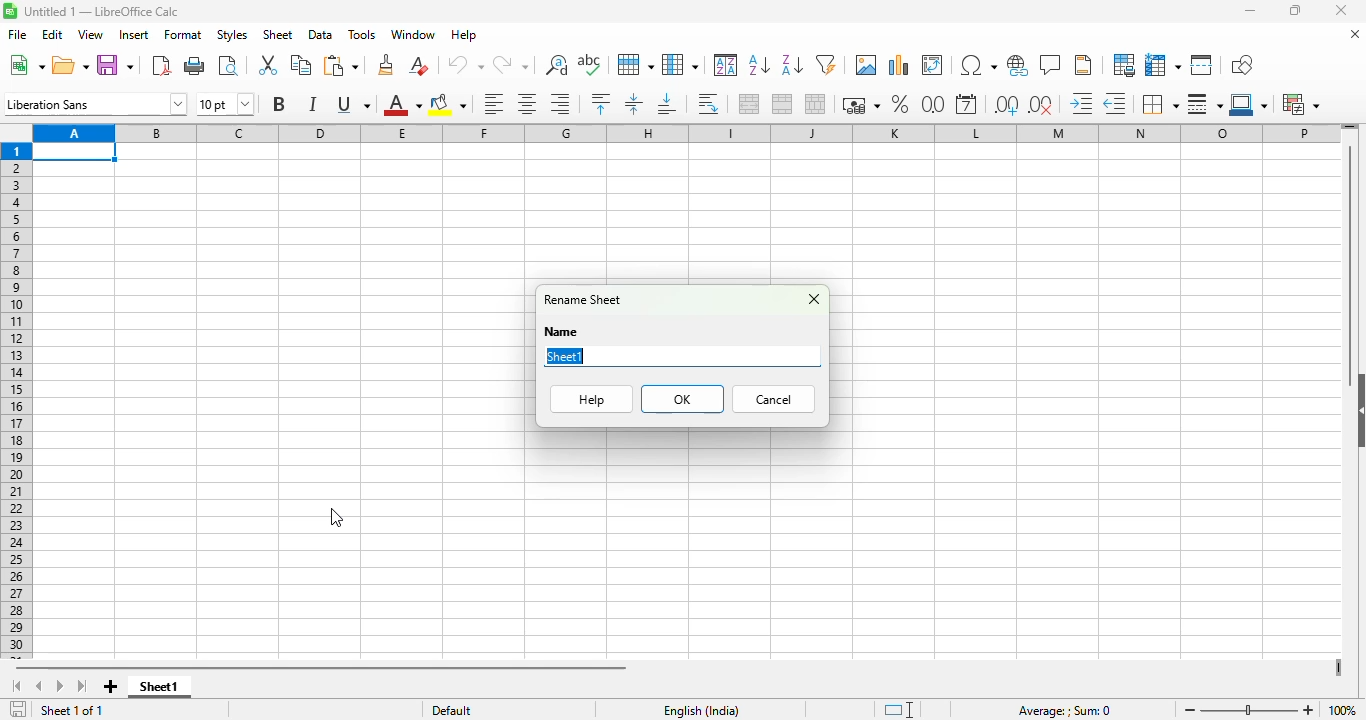 The image size is (1366, 720). Describe the element at coordinates (899, 710) in the screenshot. I see `standard selection` at that location.